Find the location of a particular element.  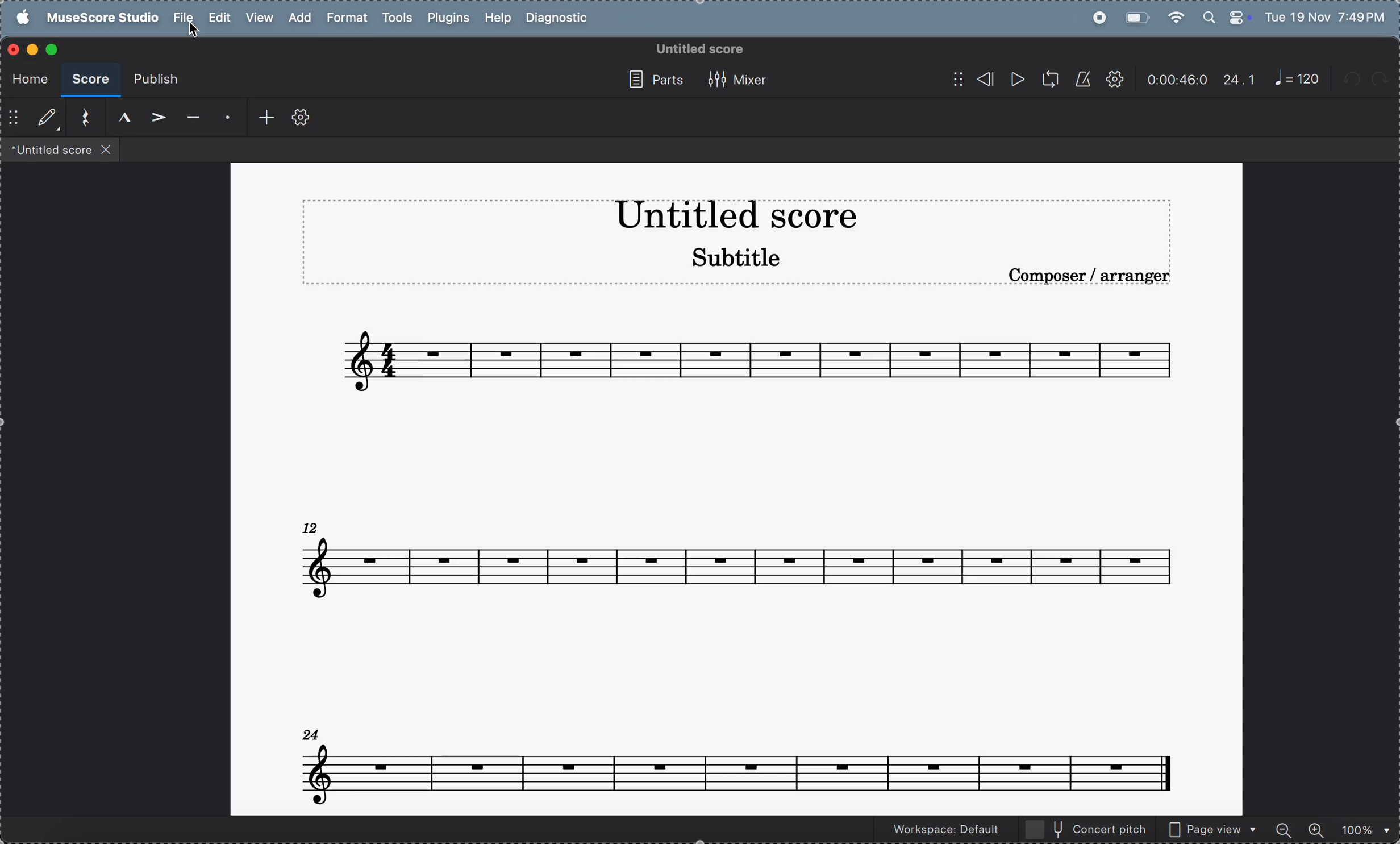

cursor is located at coordinates (197, 34).